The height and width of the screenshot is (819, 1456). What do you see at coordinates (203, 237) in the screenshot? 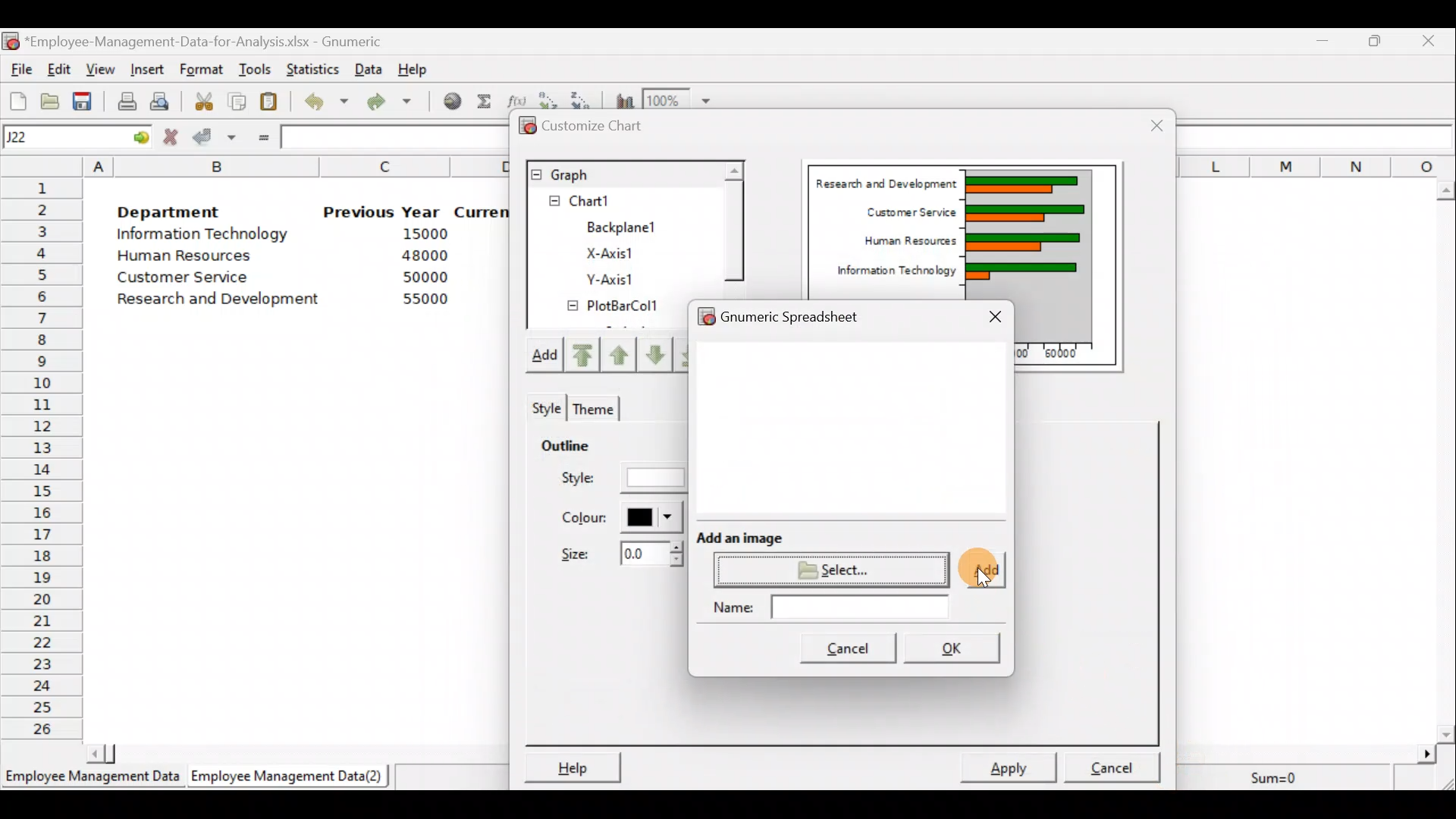
I see `Information Technology` at bounding box center [203, 237].